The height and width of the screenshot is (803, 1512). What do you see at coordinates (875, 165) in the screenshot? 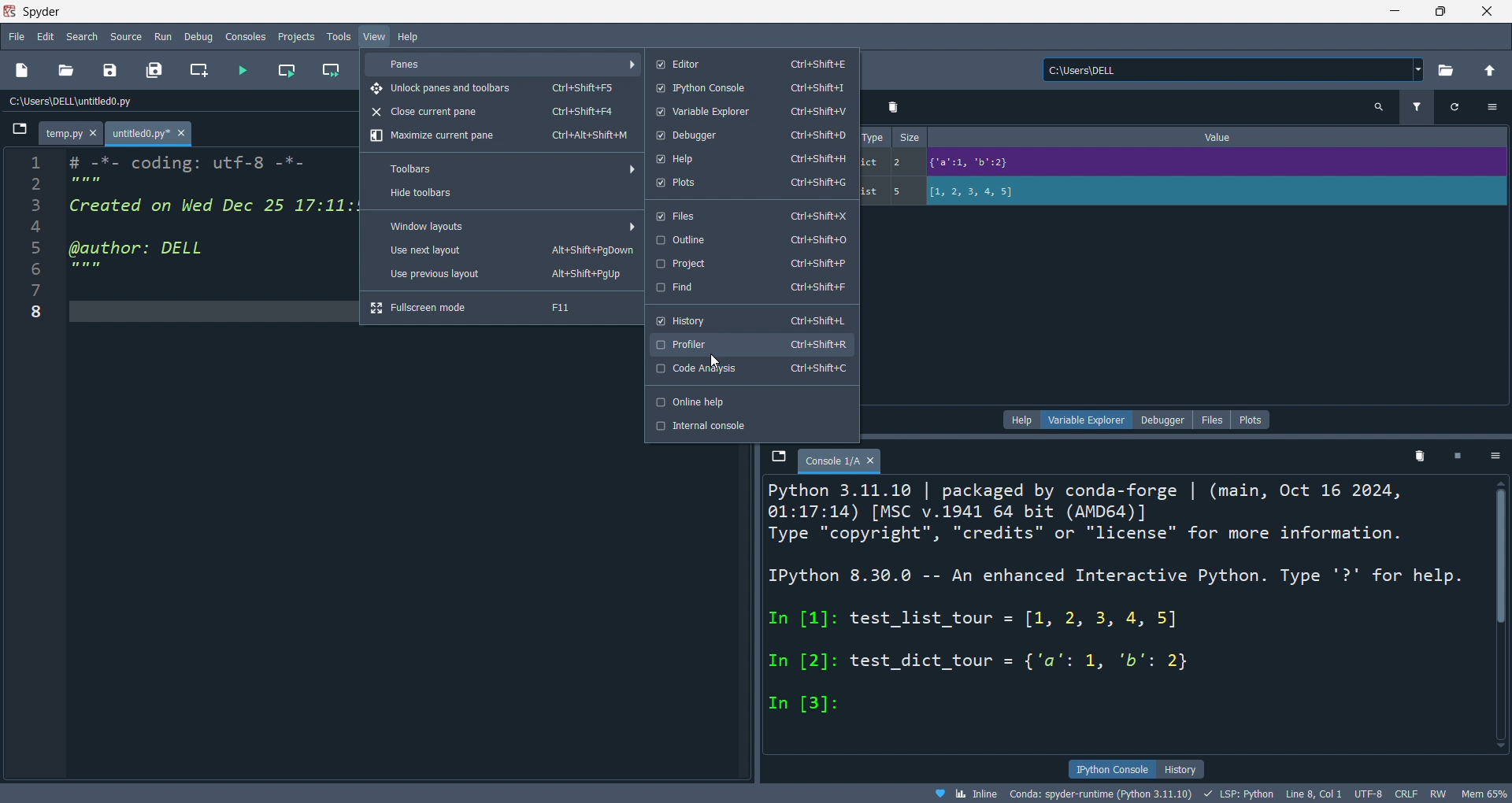
I see `type` at bounding box center [875, 165].